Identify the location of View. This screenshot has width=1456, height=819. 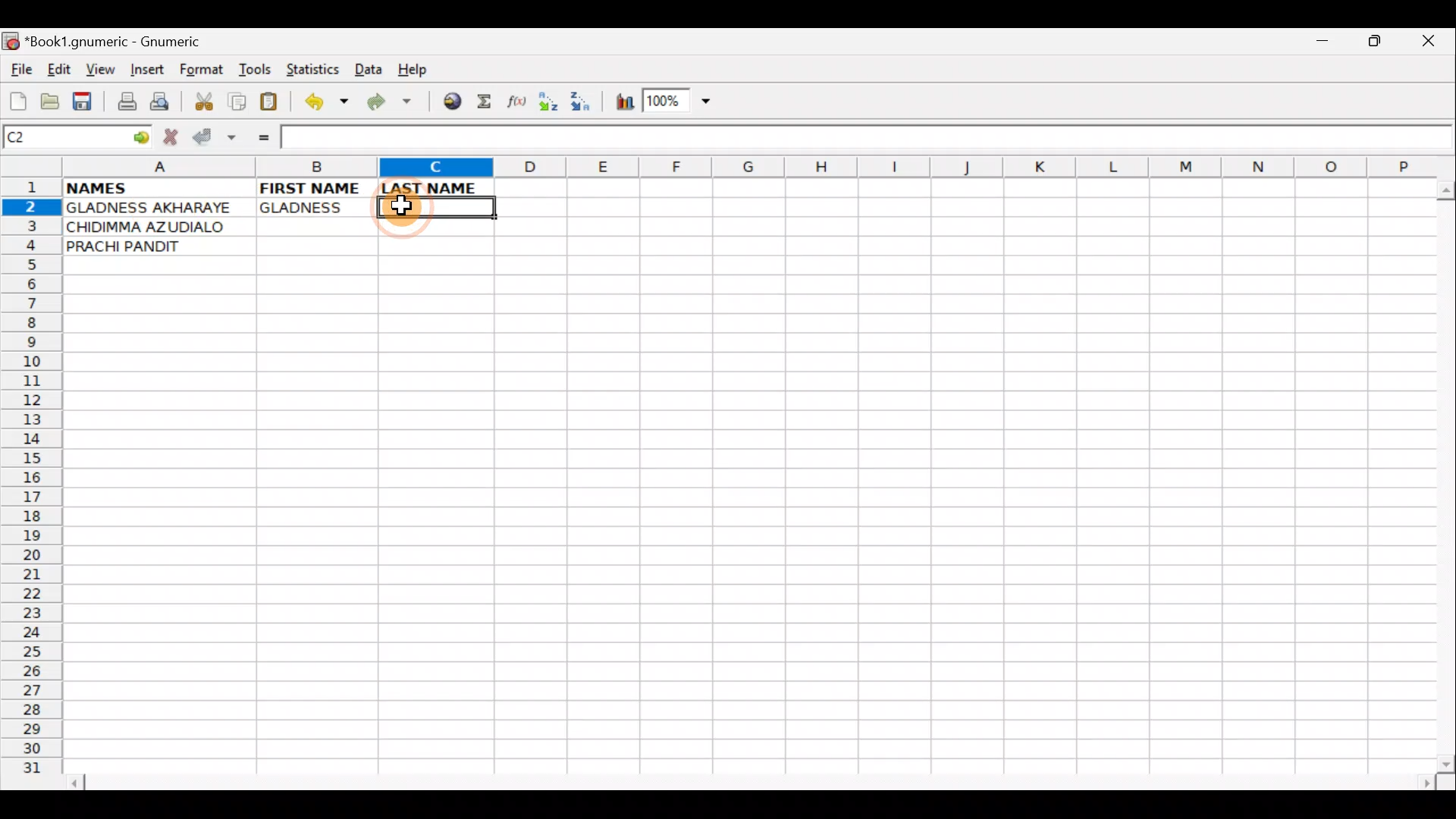
(96, 69).